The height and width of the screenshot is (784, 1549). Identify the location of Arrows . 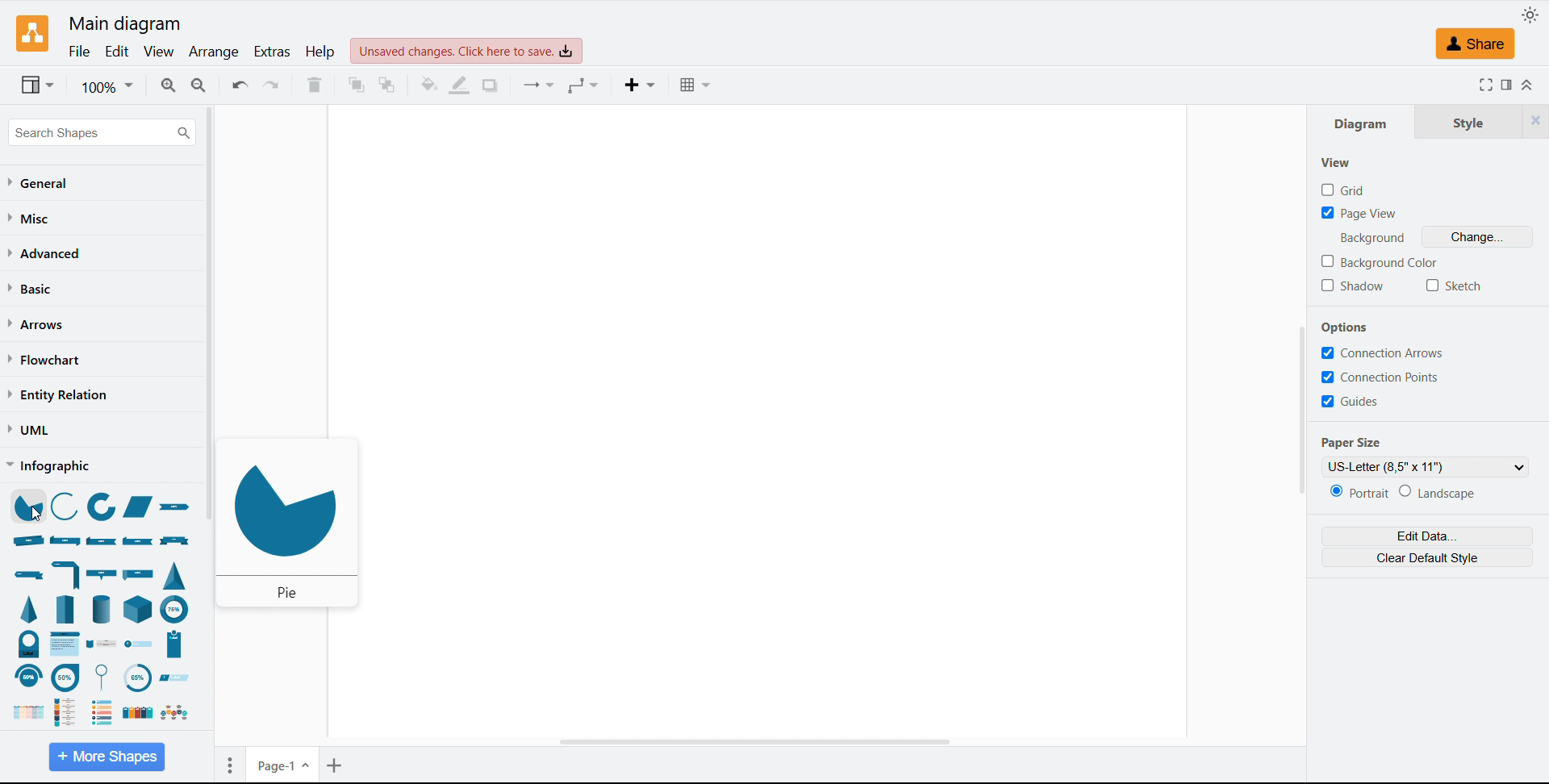
(39, 324).